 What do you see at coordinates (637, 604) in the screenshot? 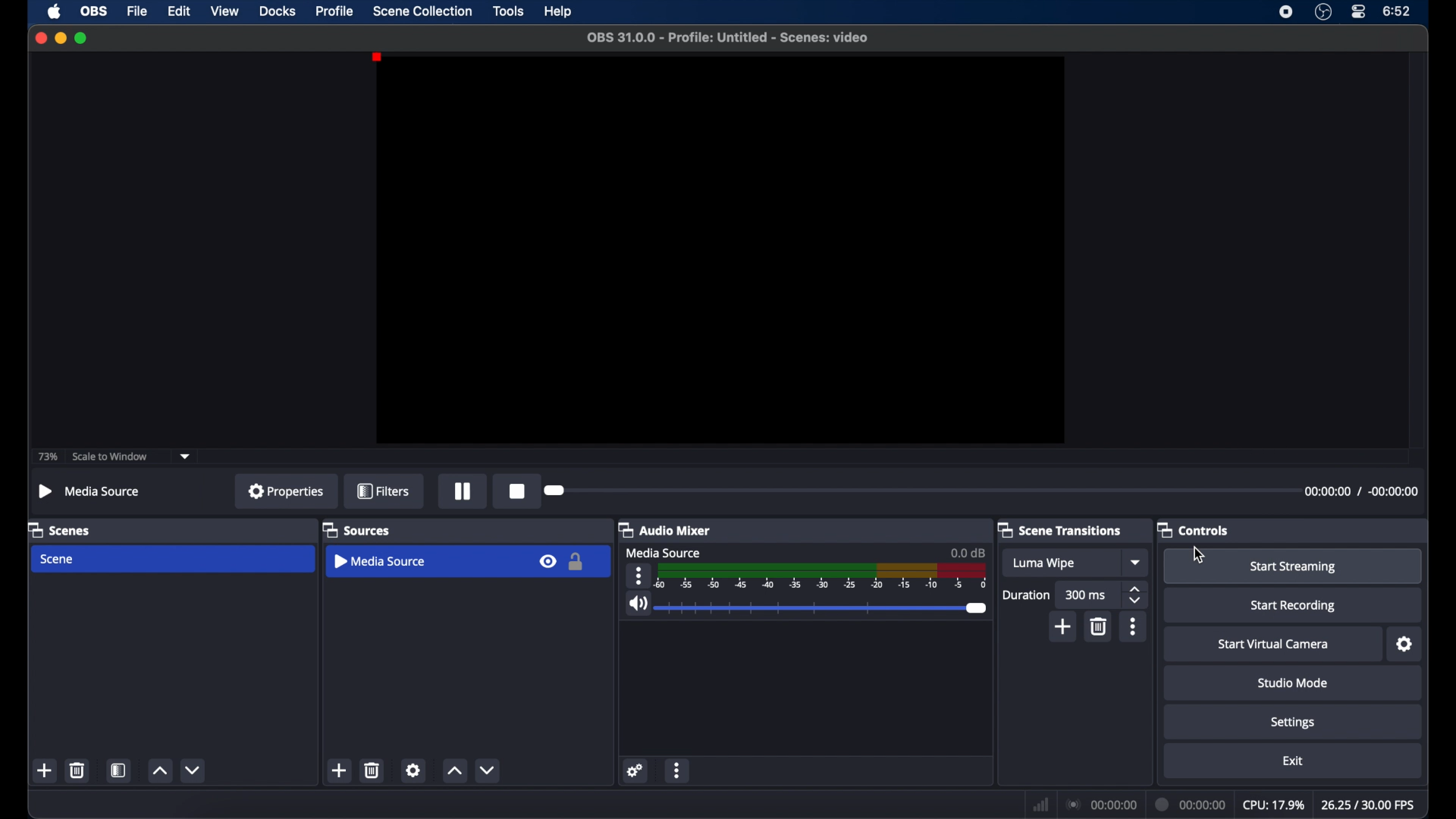
I see `volume` at bounding box center [637, 604].